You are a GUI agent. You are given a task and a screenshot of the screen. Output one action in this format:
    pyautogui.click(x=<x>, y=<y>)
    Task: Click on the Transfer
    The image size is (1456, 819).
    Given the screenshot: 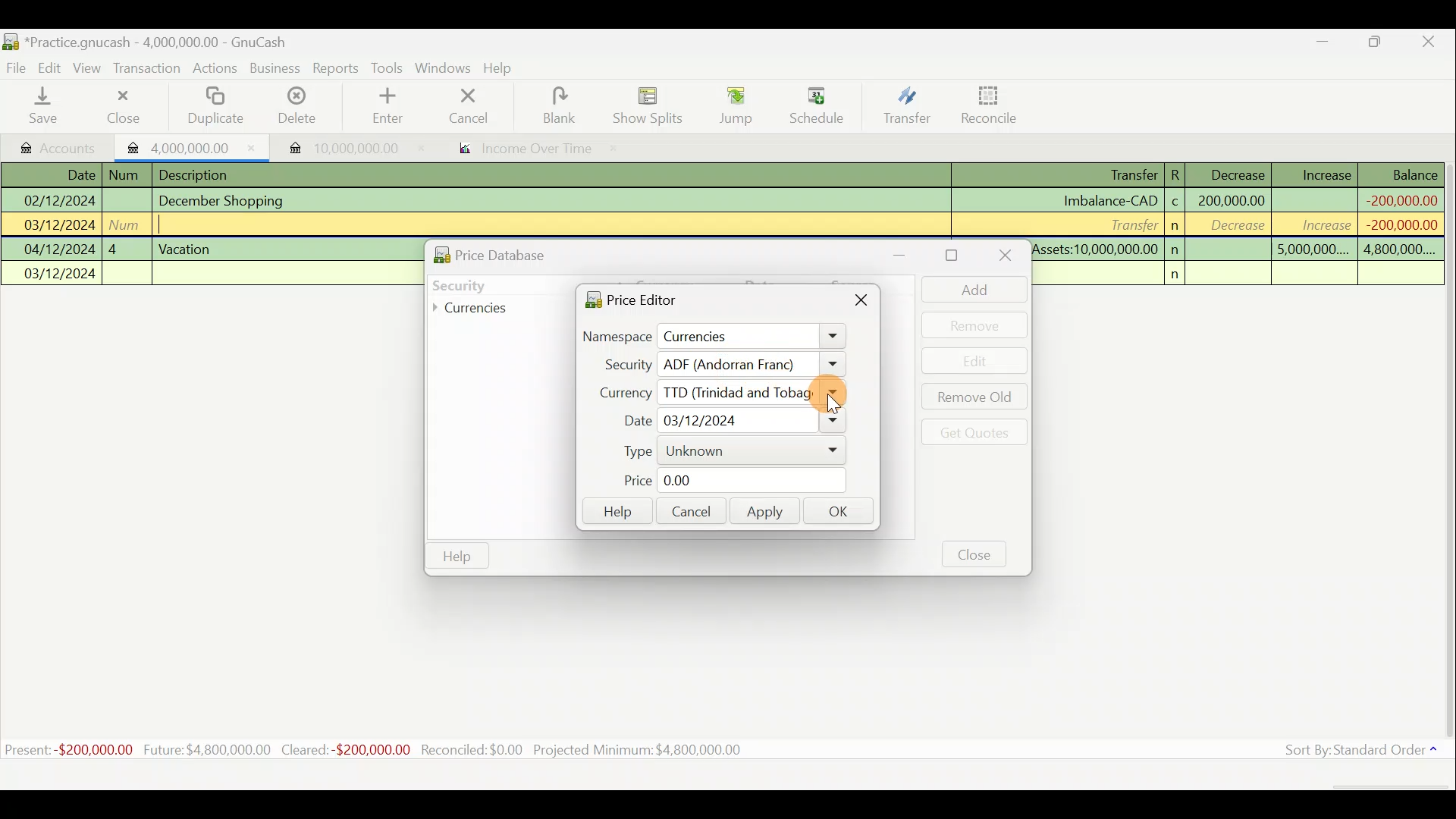 What is the action you would take?
    pyautogui.click(x=1119, y=176)
    